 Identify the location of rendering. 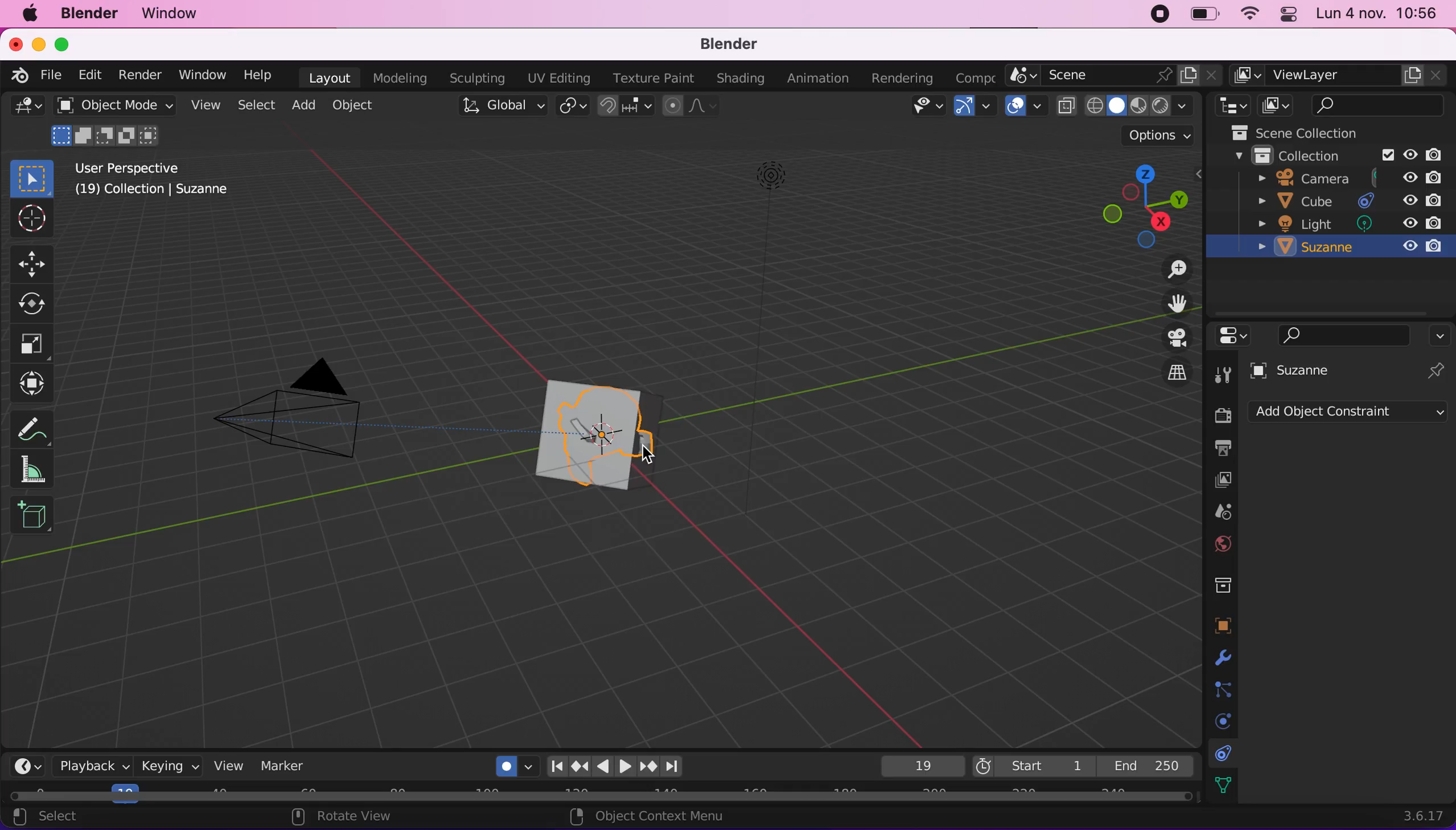
(903, 75).